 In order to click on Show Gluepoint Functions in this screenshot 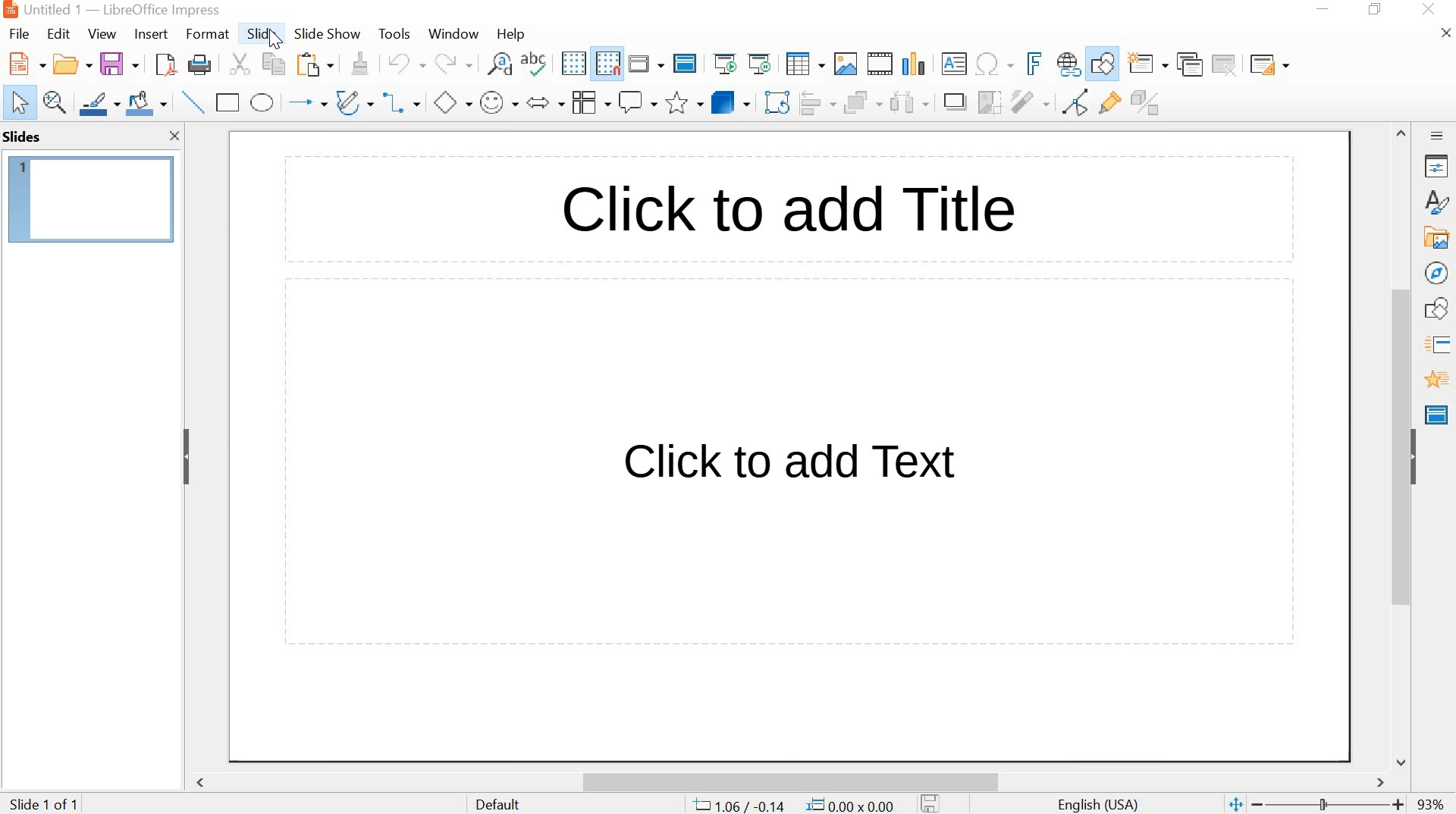, I will do `click(1111, 103)`.